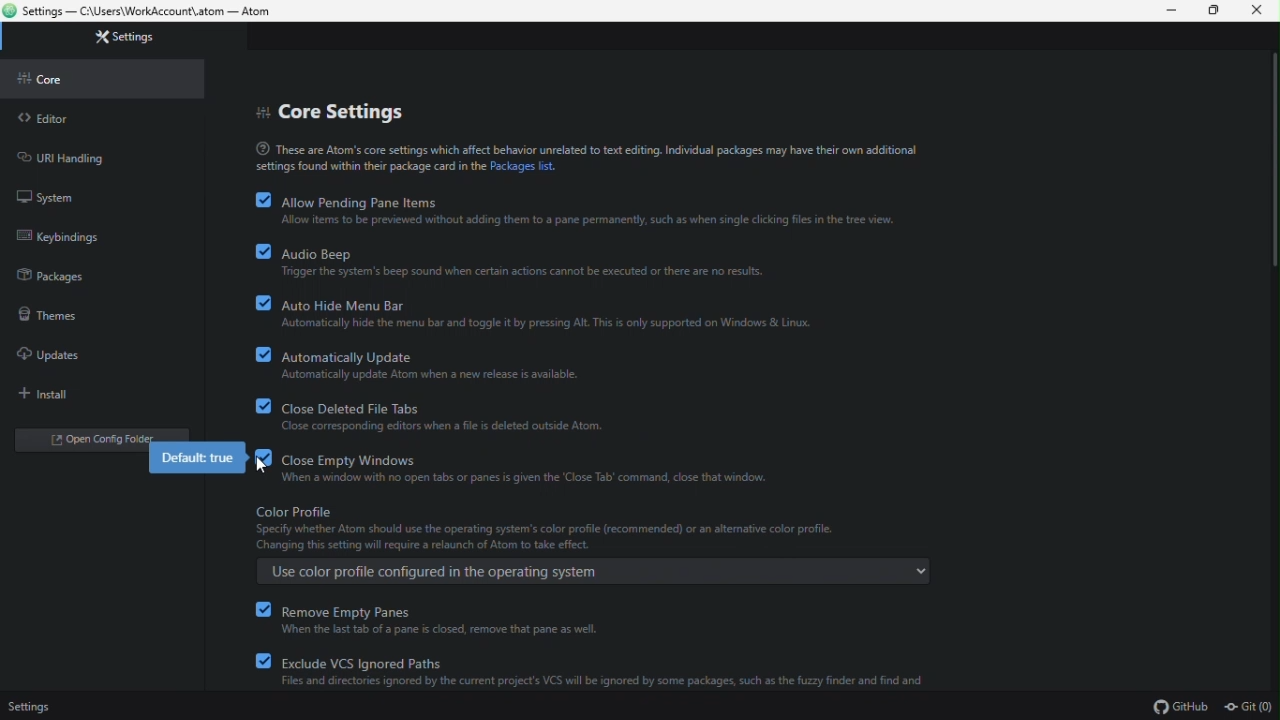 The height and width of the screenshot is (720, 1280). I want to click on checkbox, so click(261, 405).